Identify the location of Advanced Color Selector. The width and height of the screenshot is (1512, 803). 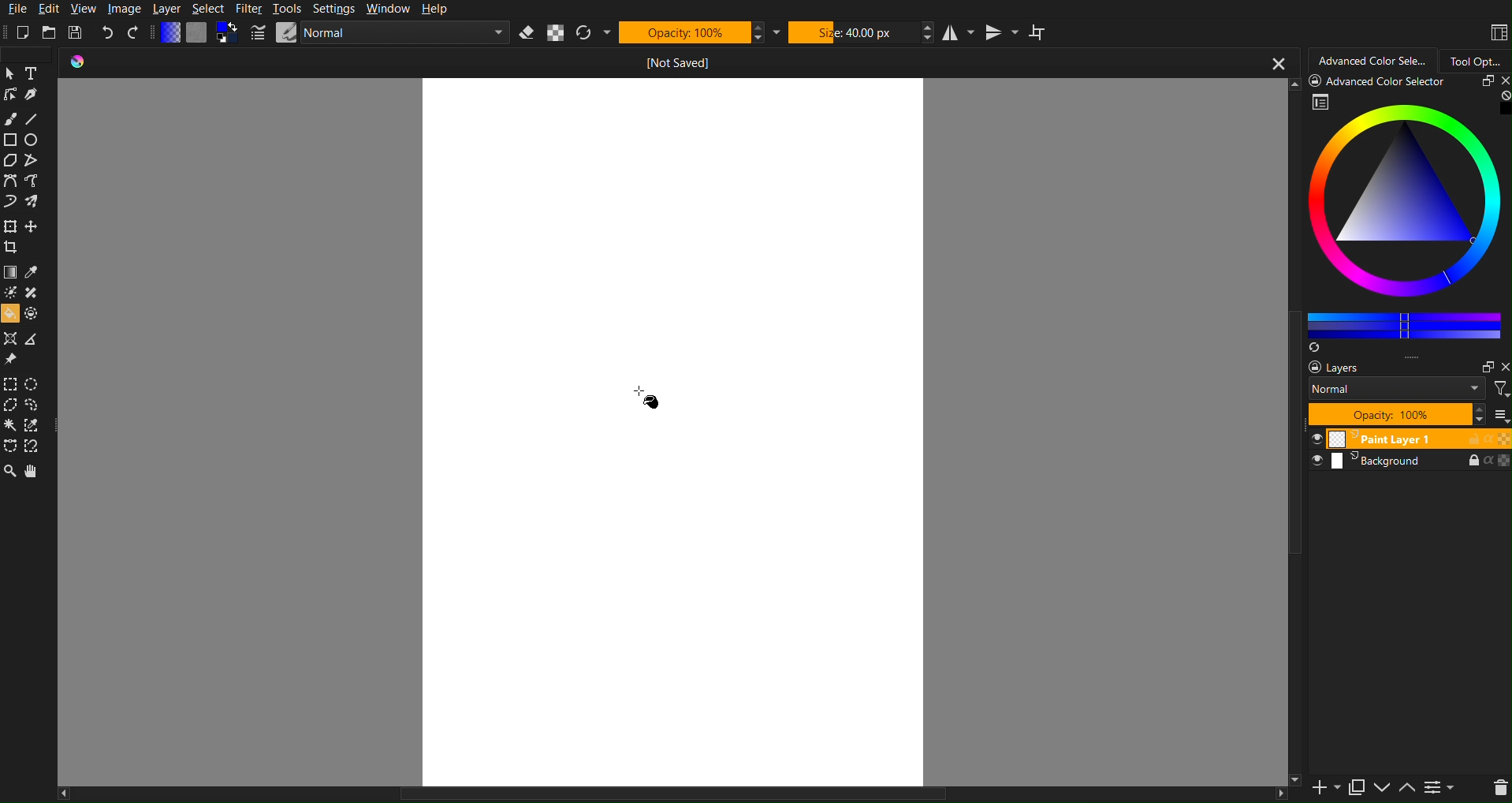
(1372, 58).